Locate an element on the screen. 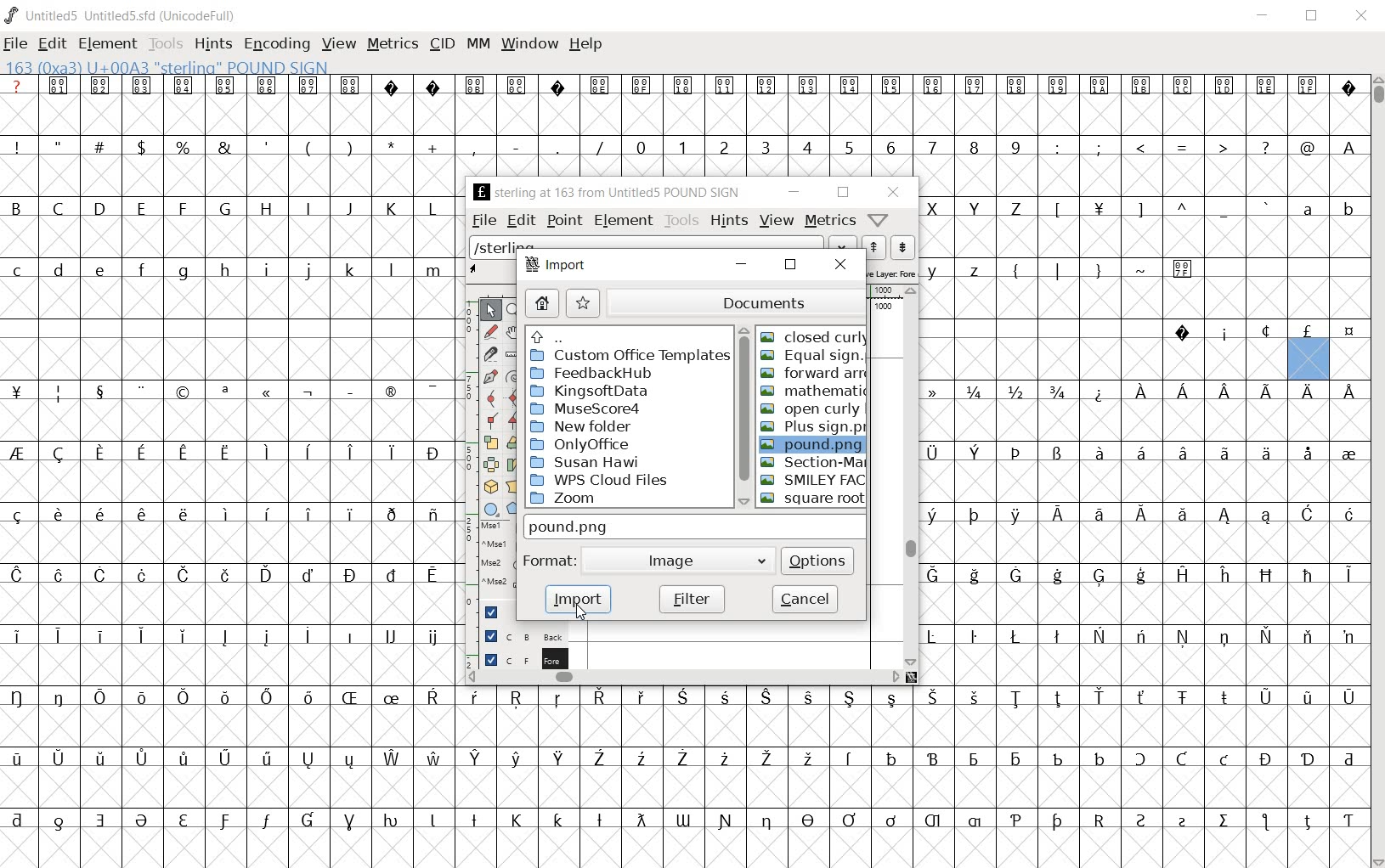 This screenshot has width=1385, height=868. Symbol is located at coordinates (599, 821).